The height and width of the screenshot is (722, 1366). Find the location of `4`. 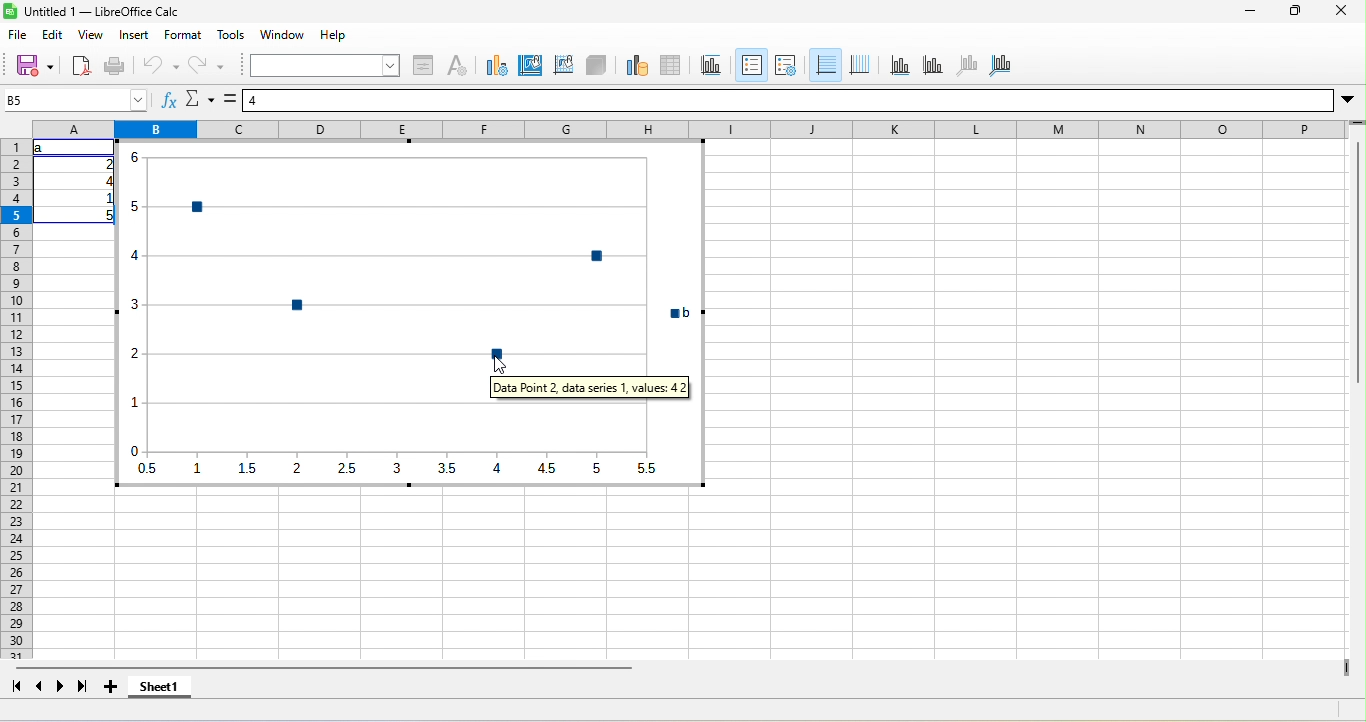

4 is located at coordinates (106, 181).